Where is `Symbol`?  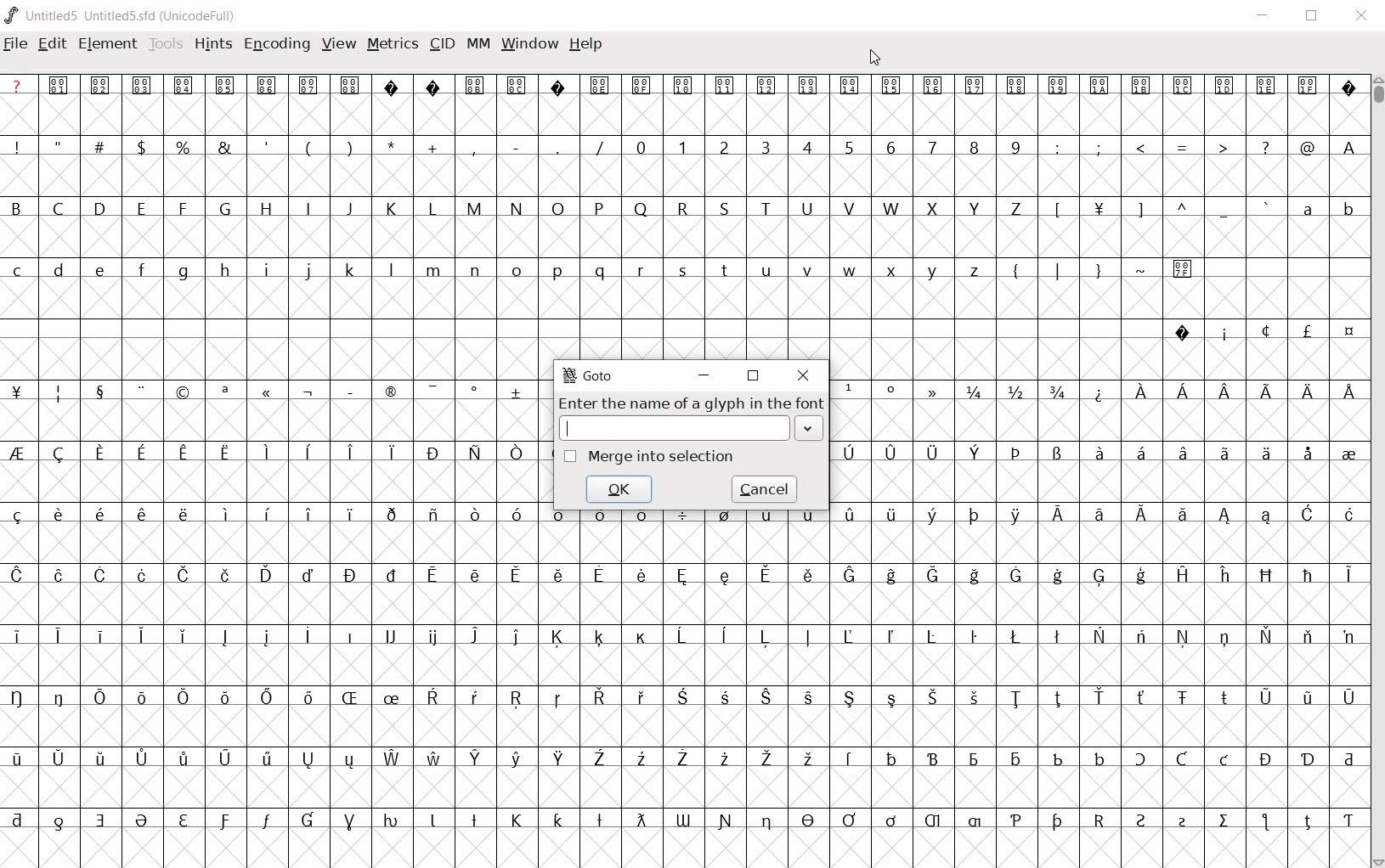
Symbol is located at coordinates (975, 636).